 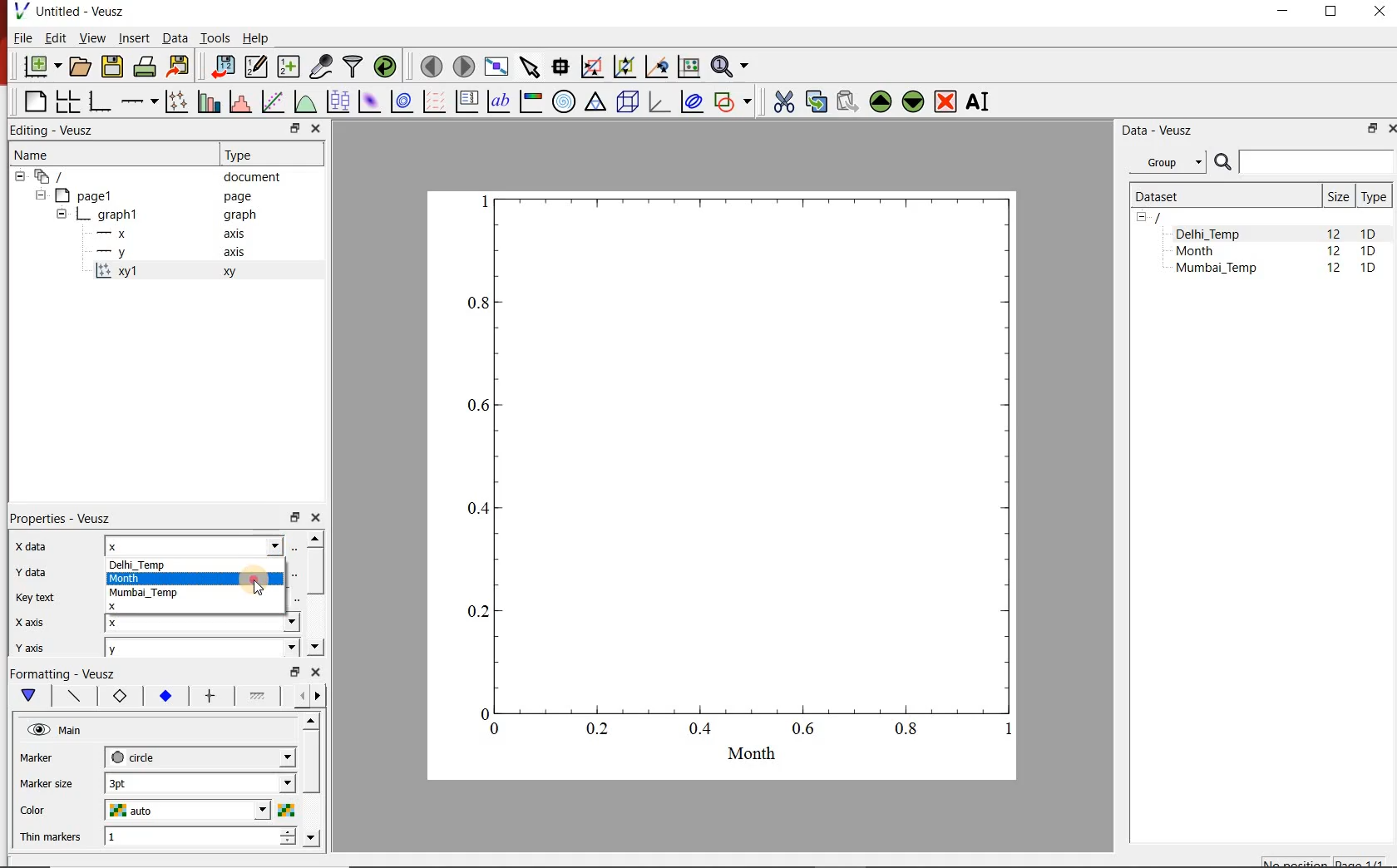 I want to click on 1D, so click(x=1368, y=252).